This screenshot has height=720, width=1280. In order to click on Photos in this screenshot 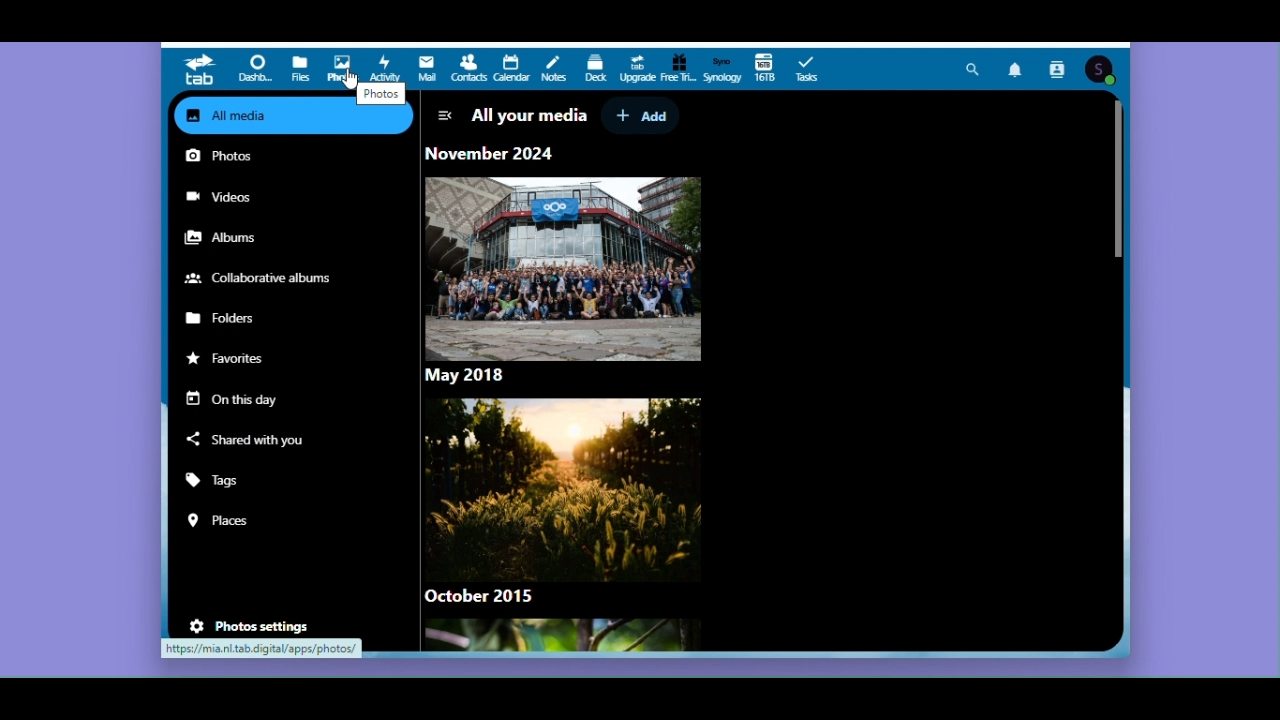, I will do `click(381, 93)`.